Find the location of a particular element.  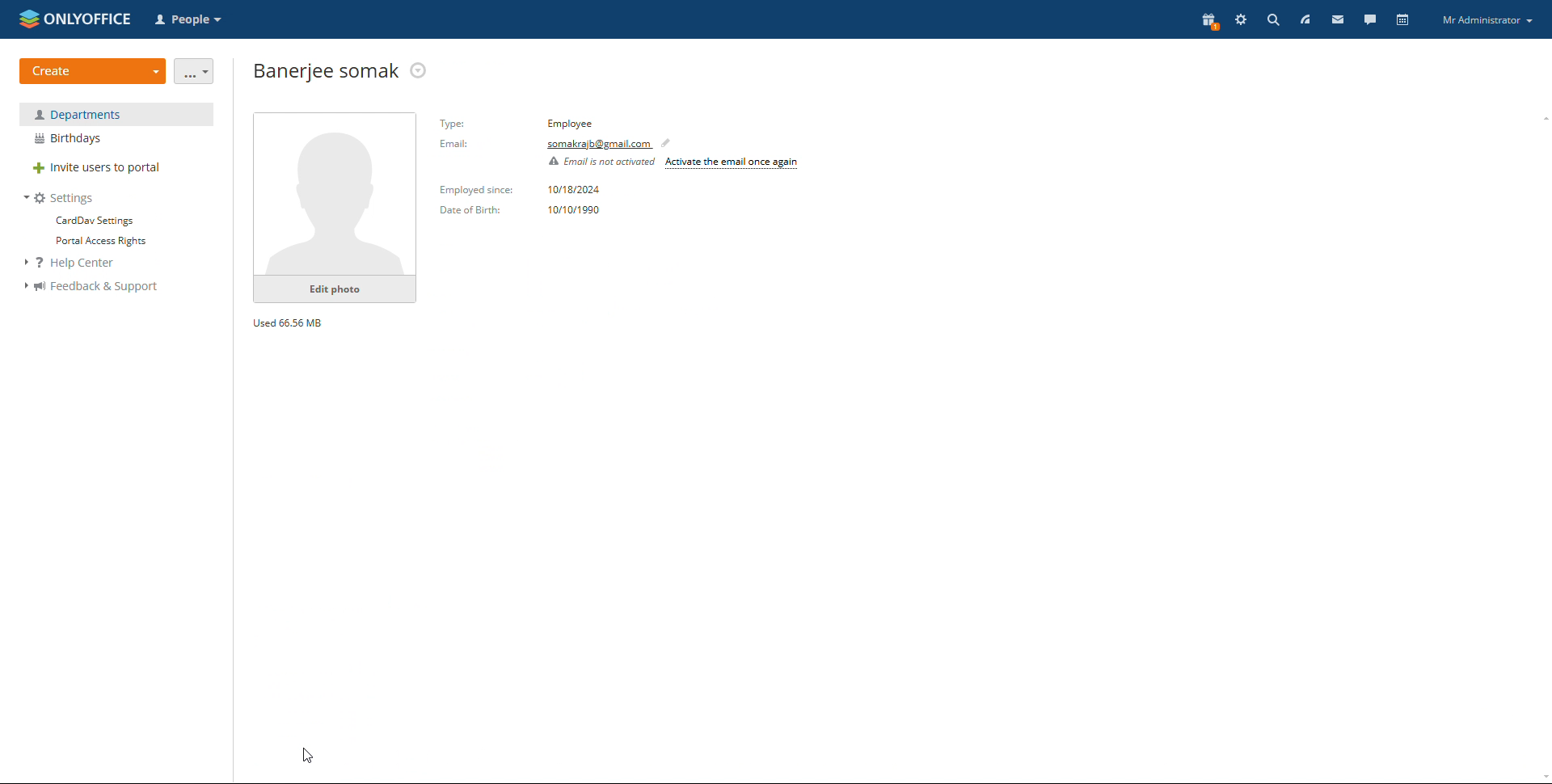

talk is located at coordinates (1369, 19).